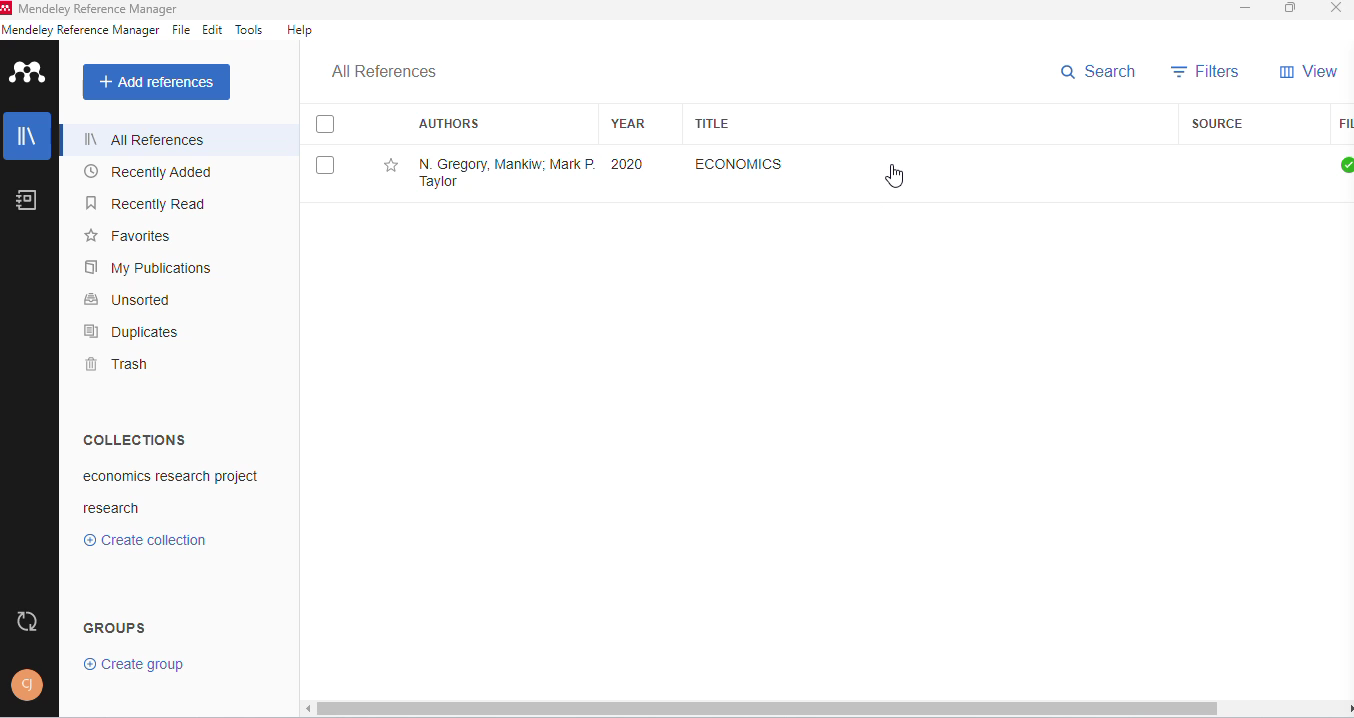 This screenshot has width=1354, height=718. I want to click on 2020, so click(627, 165).